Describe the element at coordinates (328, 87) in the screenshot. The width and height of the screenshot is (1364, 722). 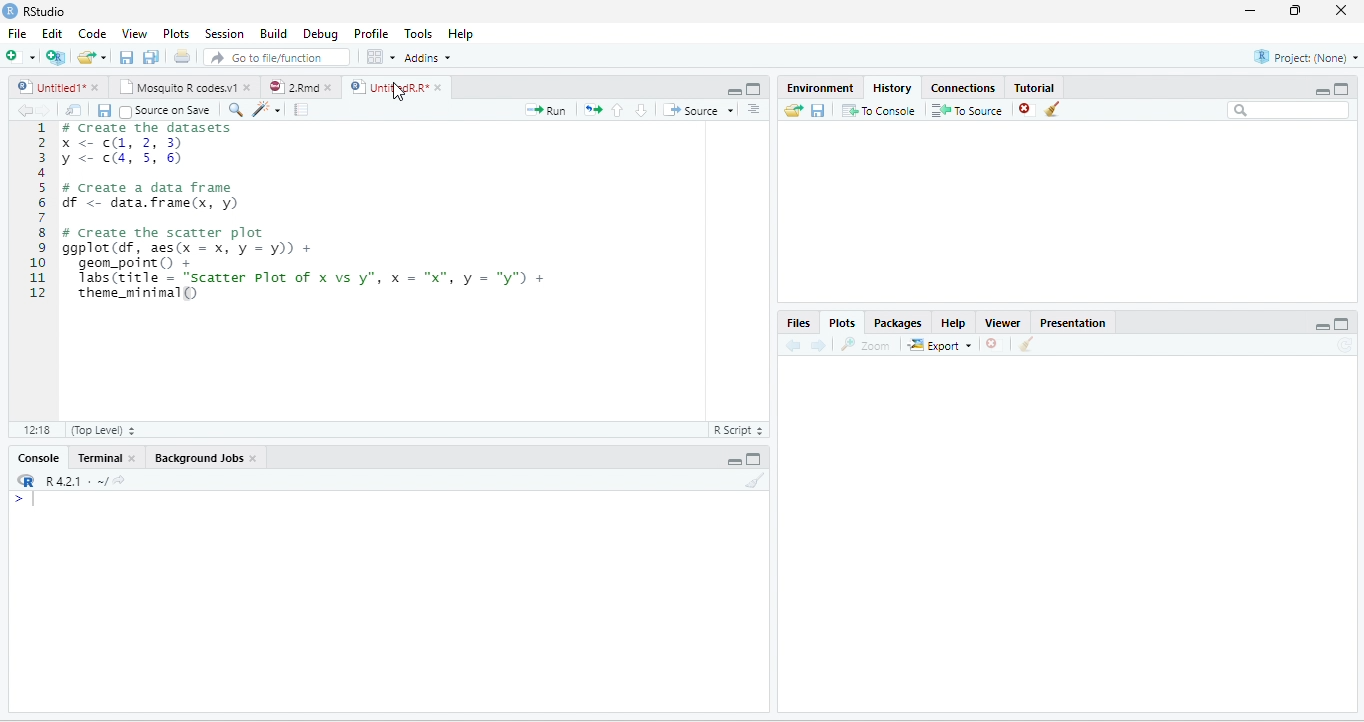
I see `close` at that location.